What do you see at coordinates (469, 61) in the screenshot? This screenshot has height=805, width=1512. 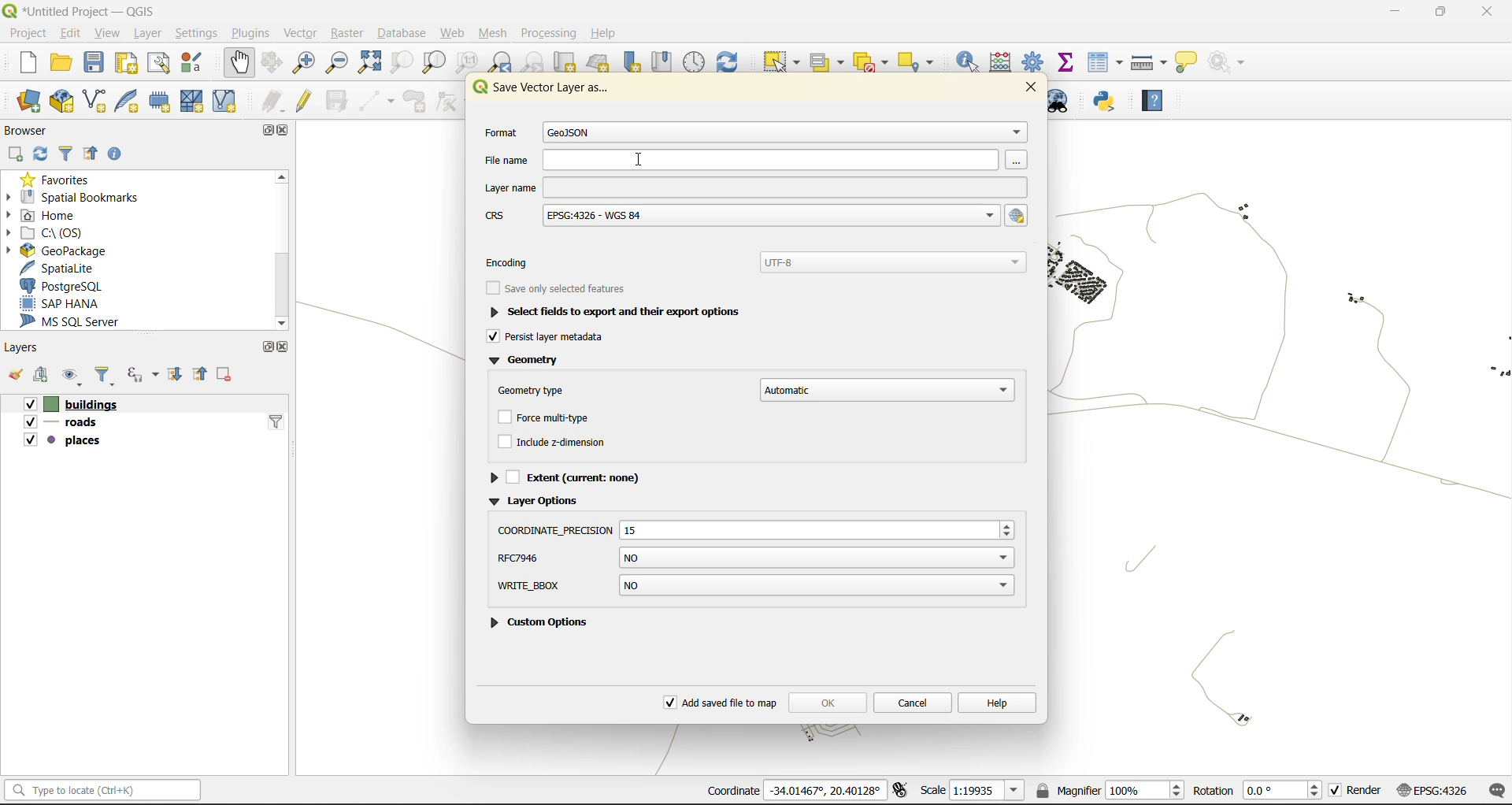 I see `zoom native` at bounding box center [469, 61].